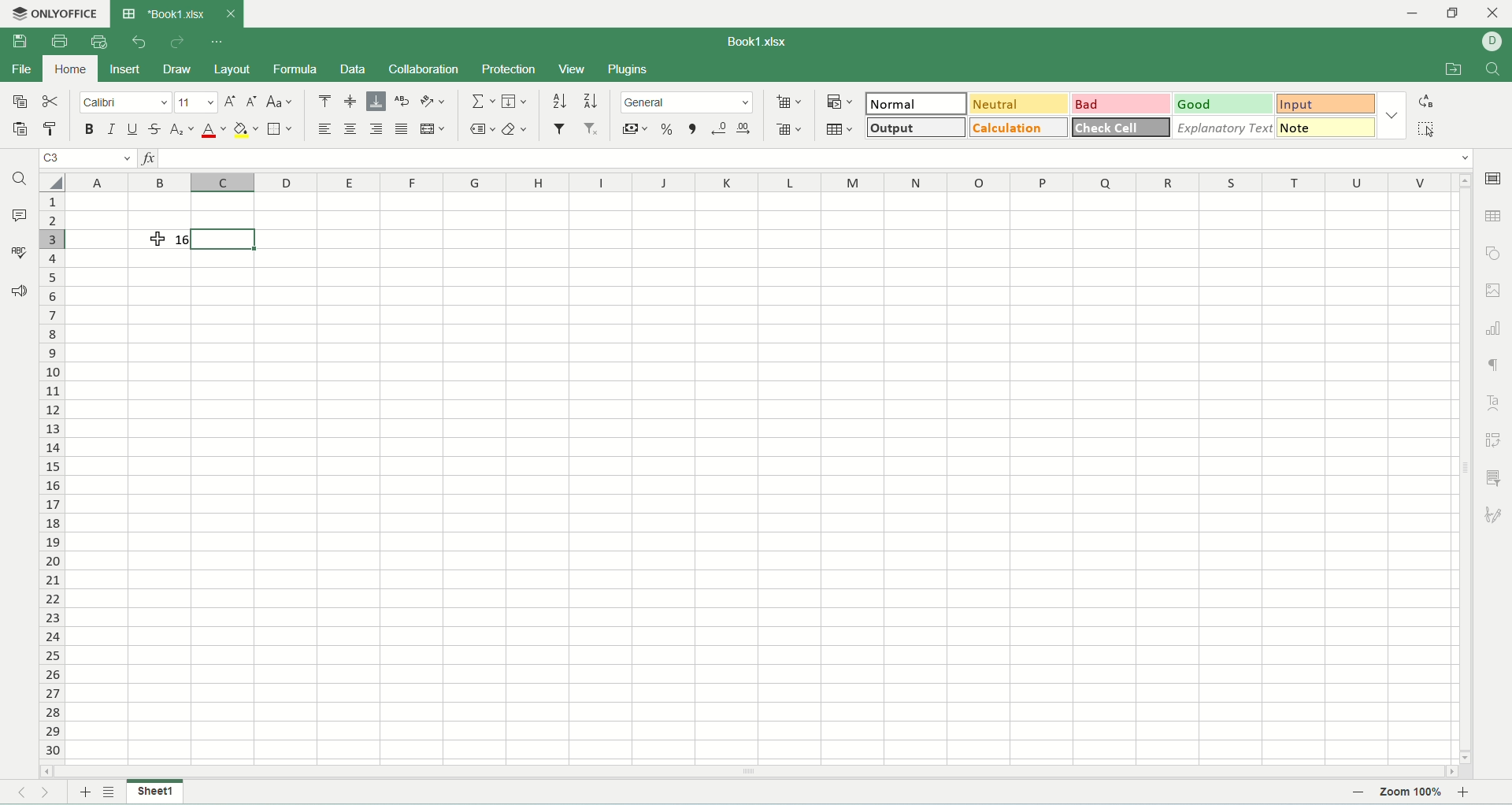 Image resolution: width=1512 pixels, height=805 pixels. I want to click on cell setting, so click(1493, 180).